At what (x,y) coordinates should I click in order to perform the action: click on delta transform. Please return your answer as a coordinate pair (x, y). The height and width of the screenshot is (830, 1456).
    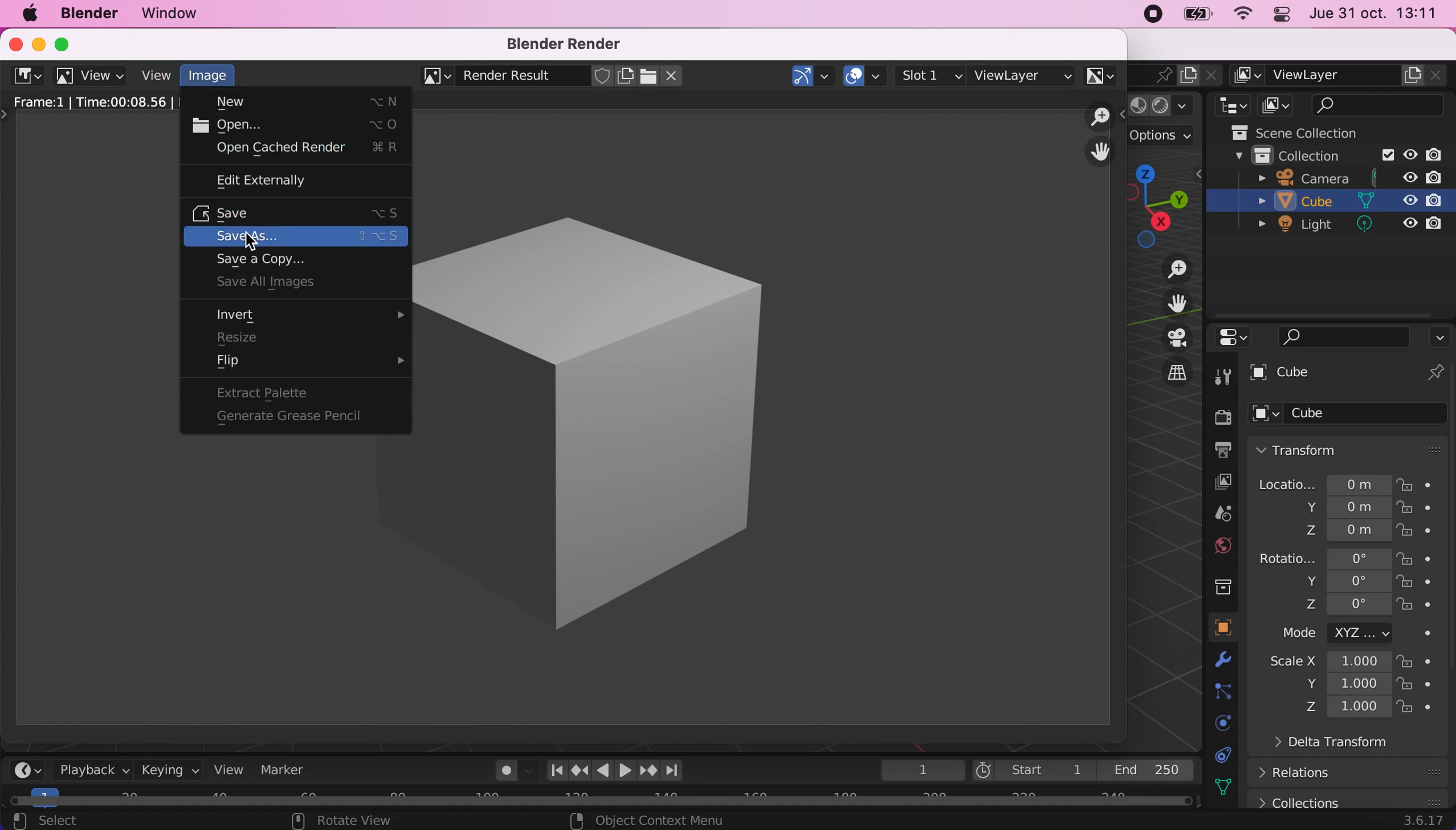
    Looking at the image, I should click on (1322, 746).